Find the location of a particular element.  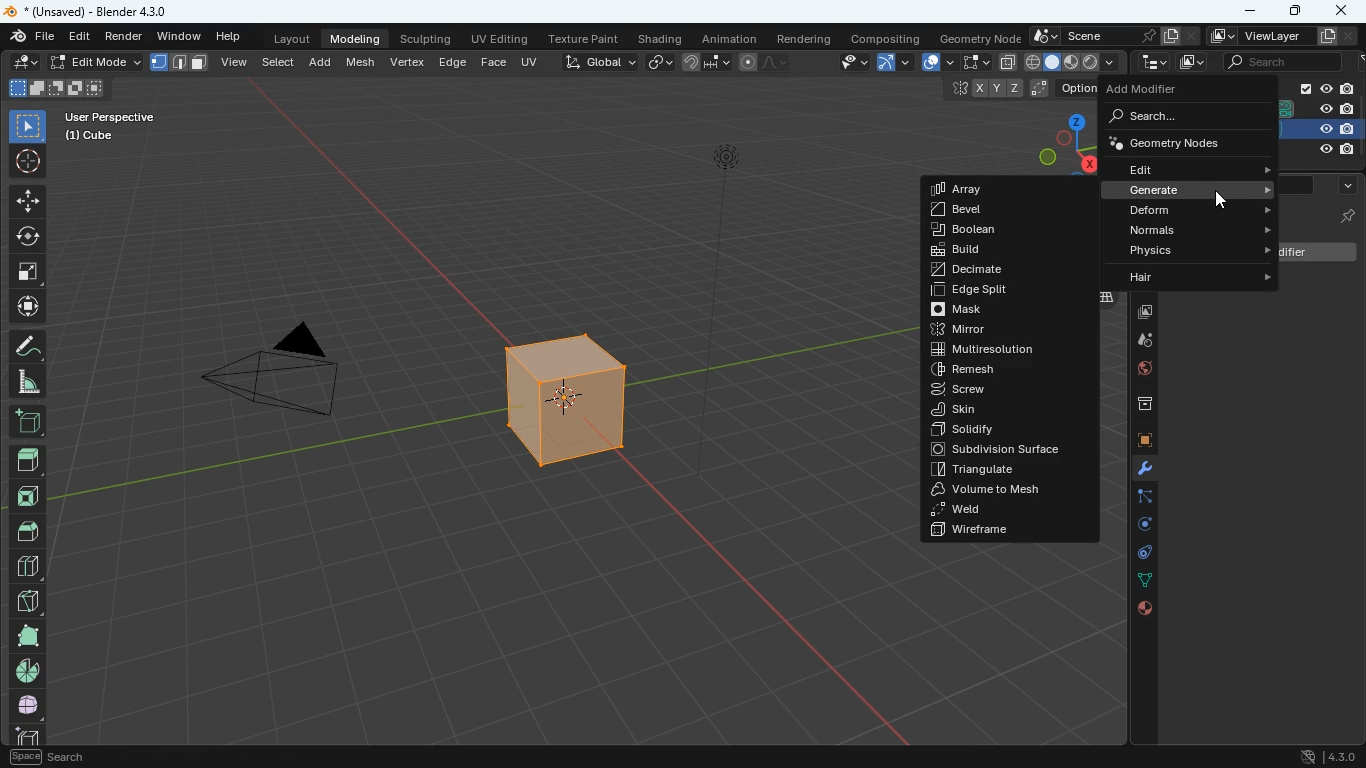

build is located at coordinates (974, 251).